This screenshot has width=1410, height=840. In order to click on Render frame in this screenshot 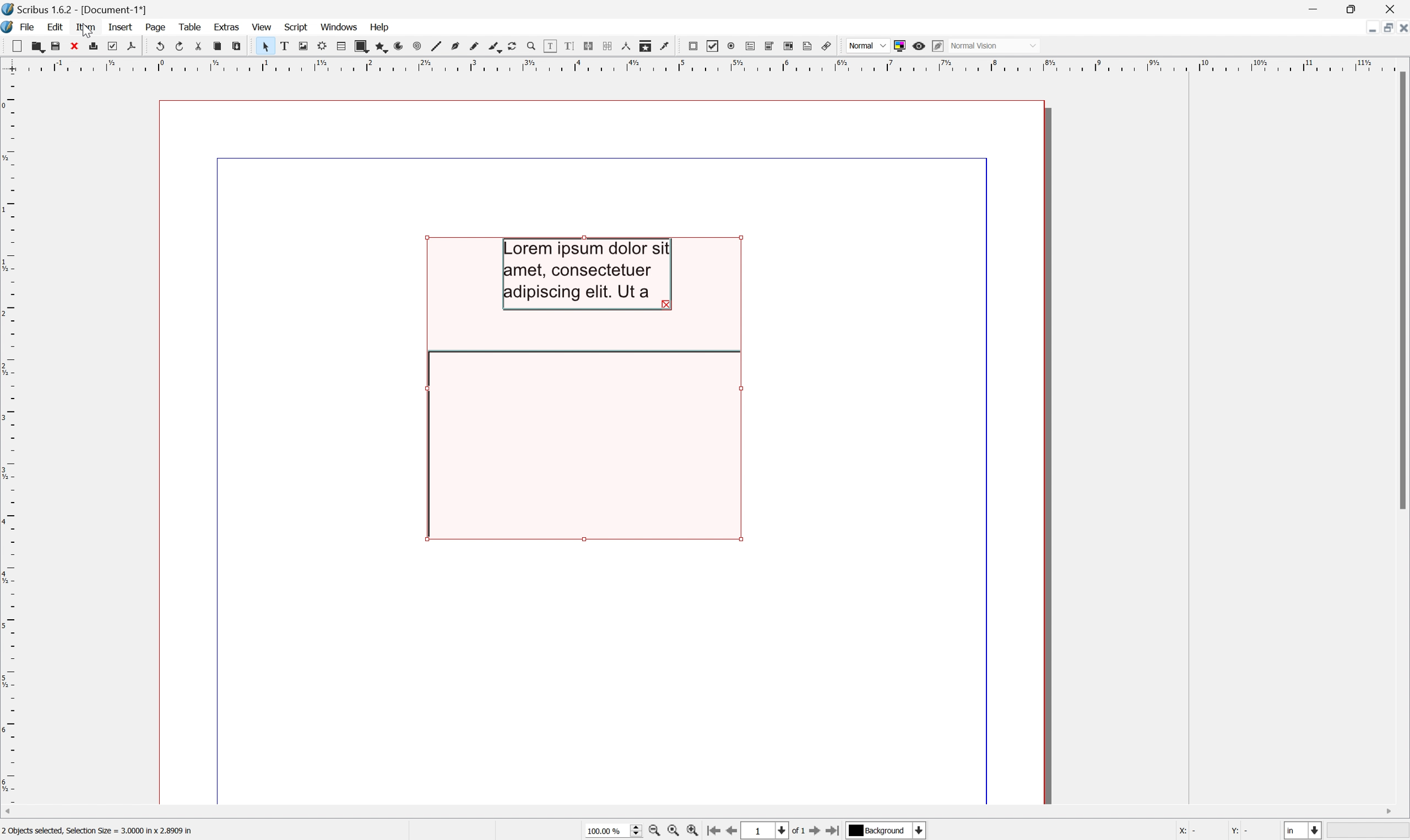, I will do `click(320, 48)`.